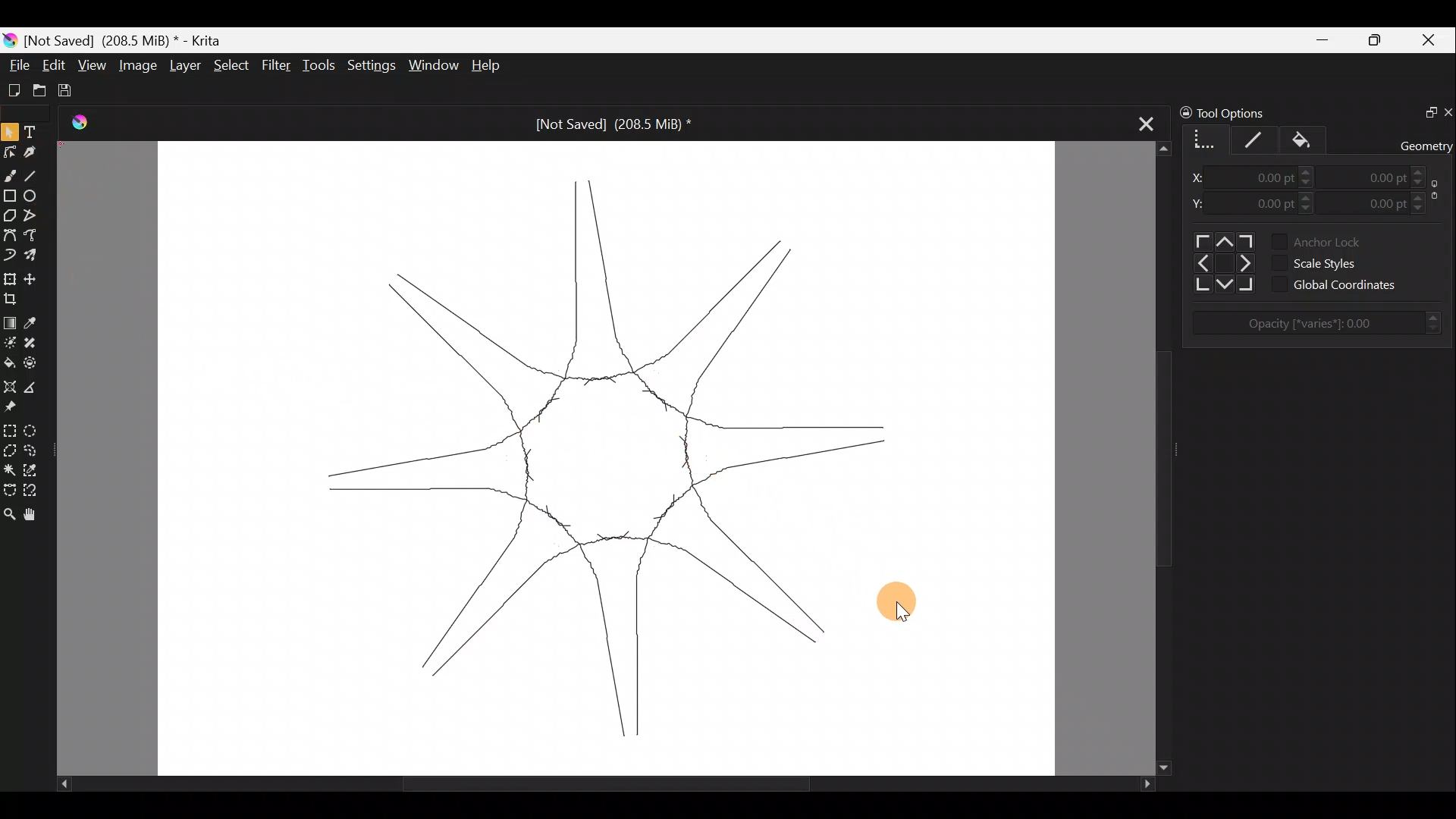 This screenshot has height=819, width=1456. Describe the element at coordinates (1202, 137) in the screenshot. I see `Geometry` at that location.